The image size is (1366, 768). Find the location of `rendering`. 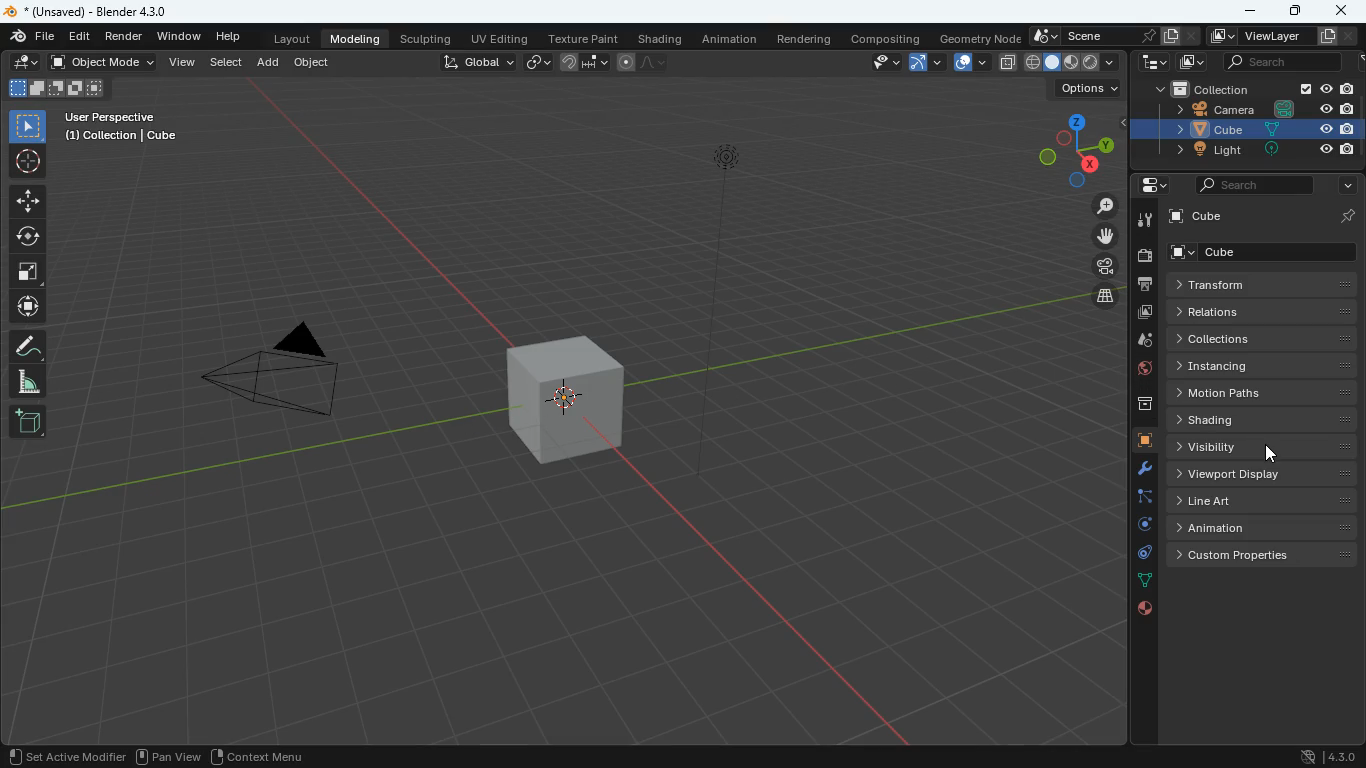

rendering is located at coordinates (808, 39).